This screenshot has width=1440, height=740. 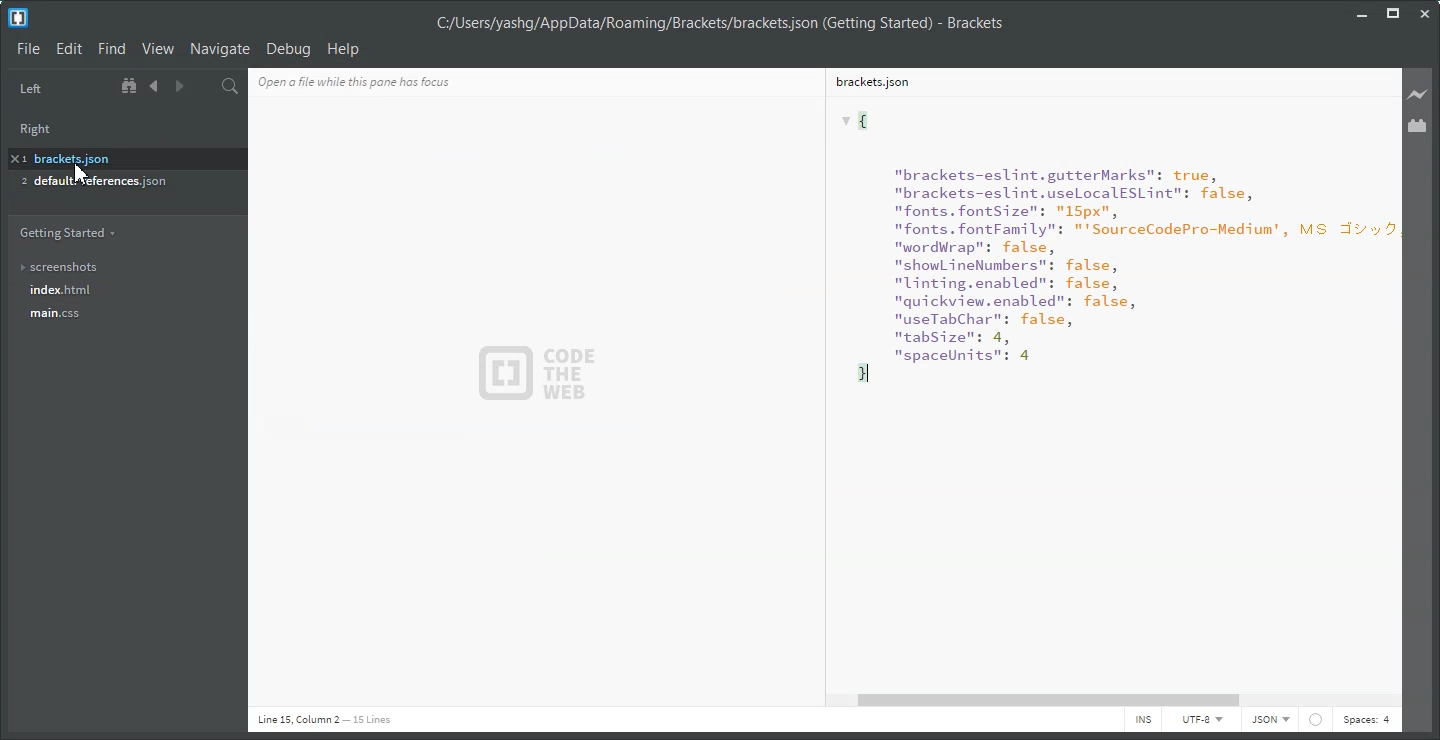 What do you see at coordinates (111, 49) in the screenshot?
I see `Find` at bounding box center [111, 49].